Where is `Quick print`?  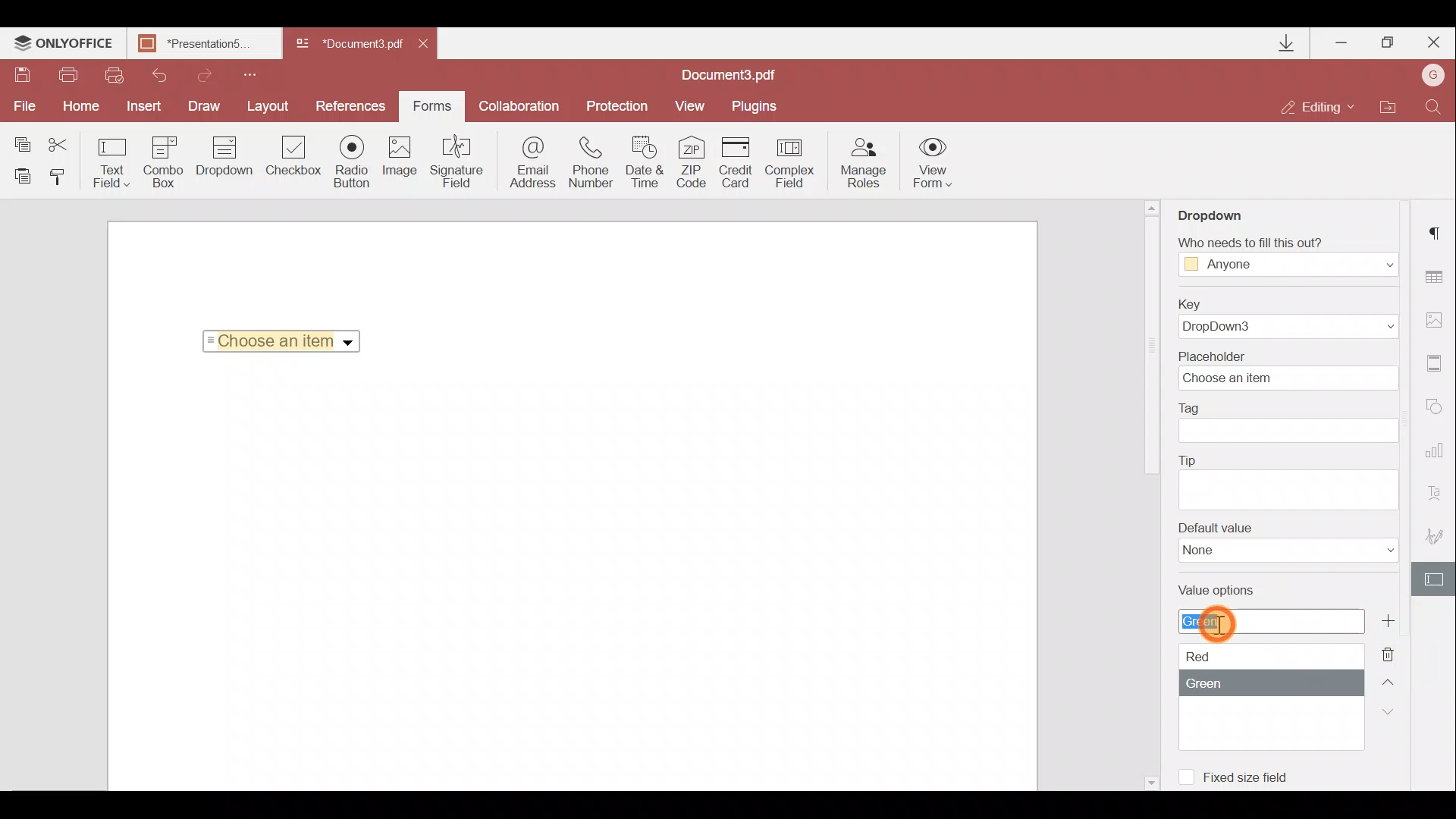 Quick print is located at coordinates (115, 75).